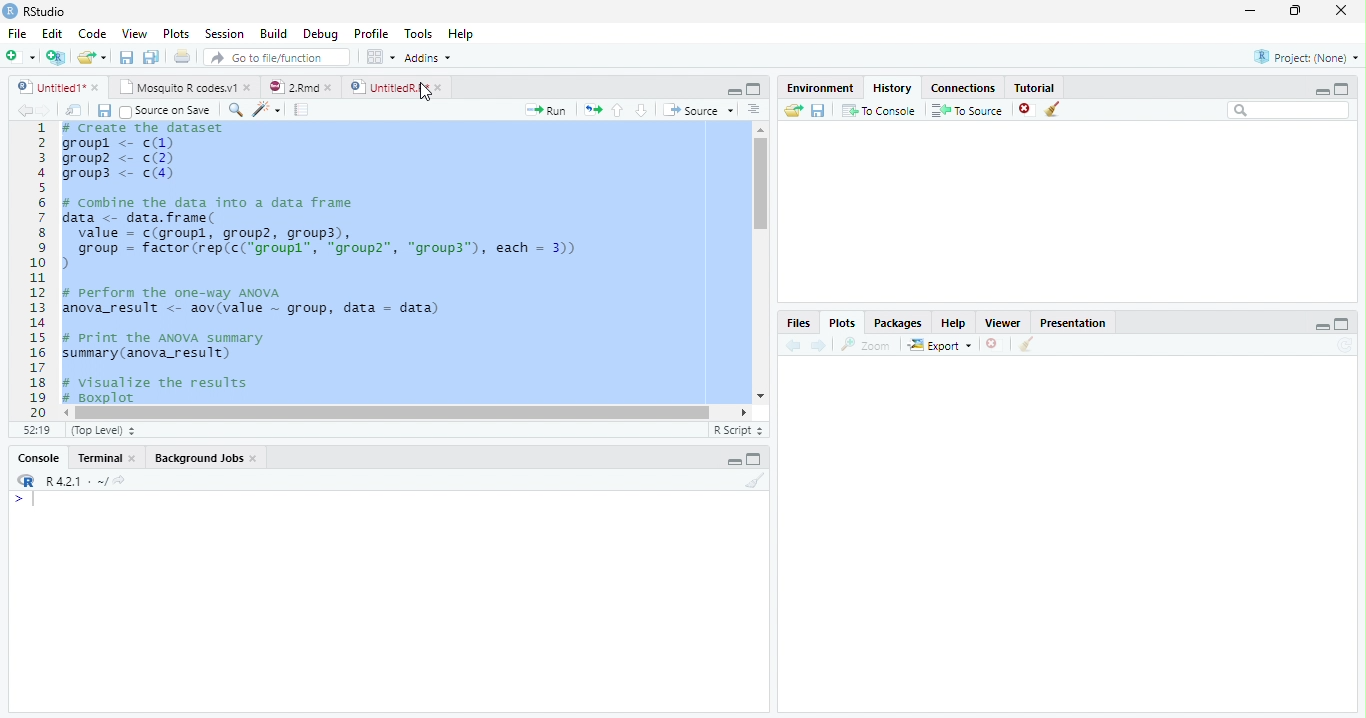 The image size is (1366, 718). What do you see at coordinates (759, 483) in the screenshot?
I see `Clear console` at bounding box center [759, 483].